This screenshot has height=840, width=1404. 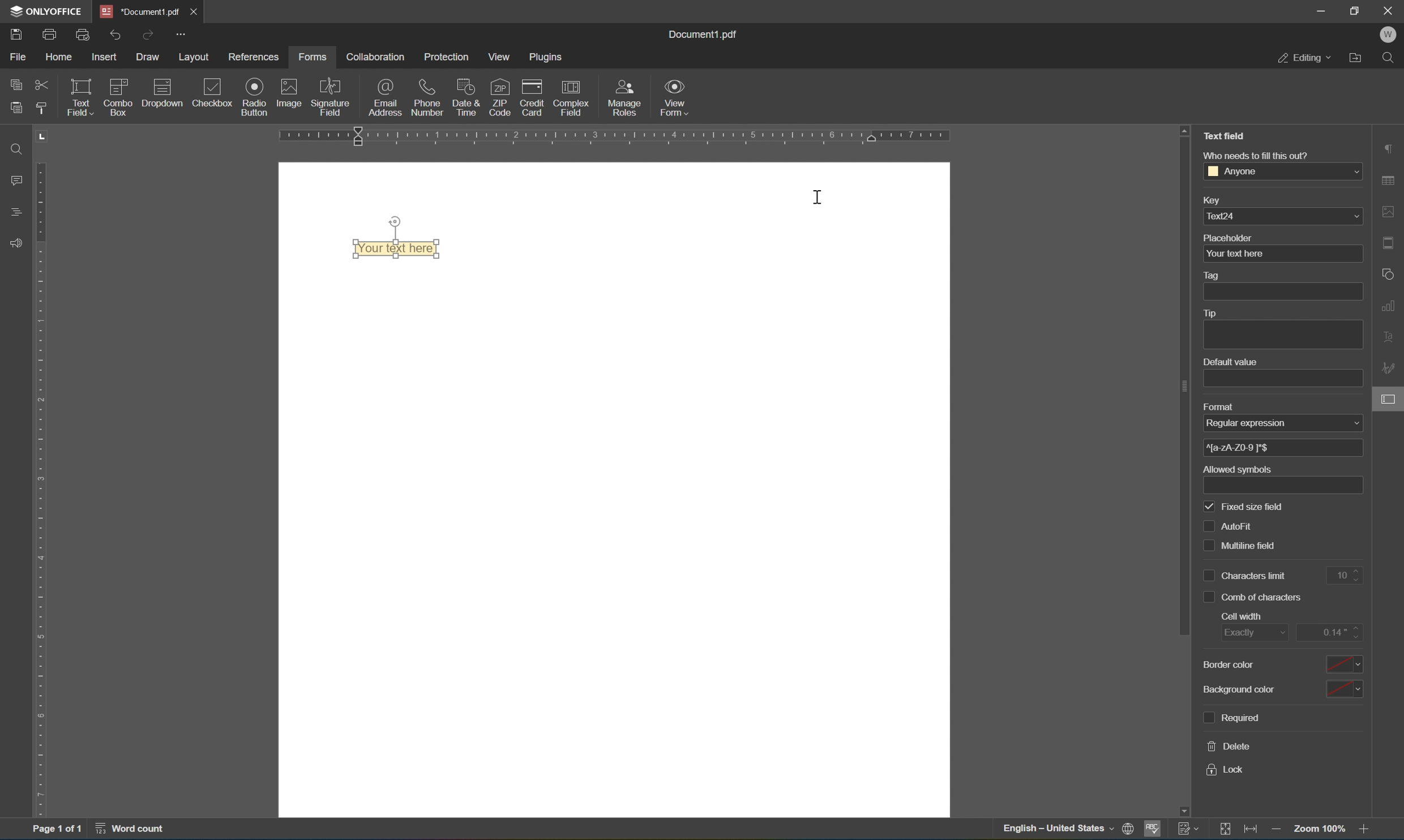 What do you see at coordinates (1230, 362) in the screenshot?
I see `default value` at bounding box center [1230, 362].